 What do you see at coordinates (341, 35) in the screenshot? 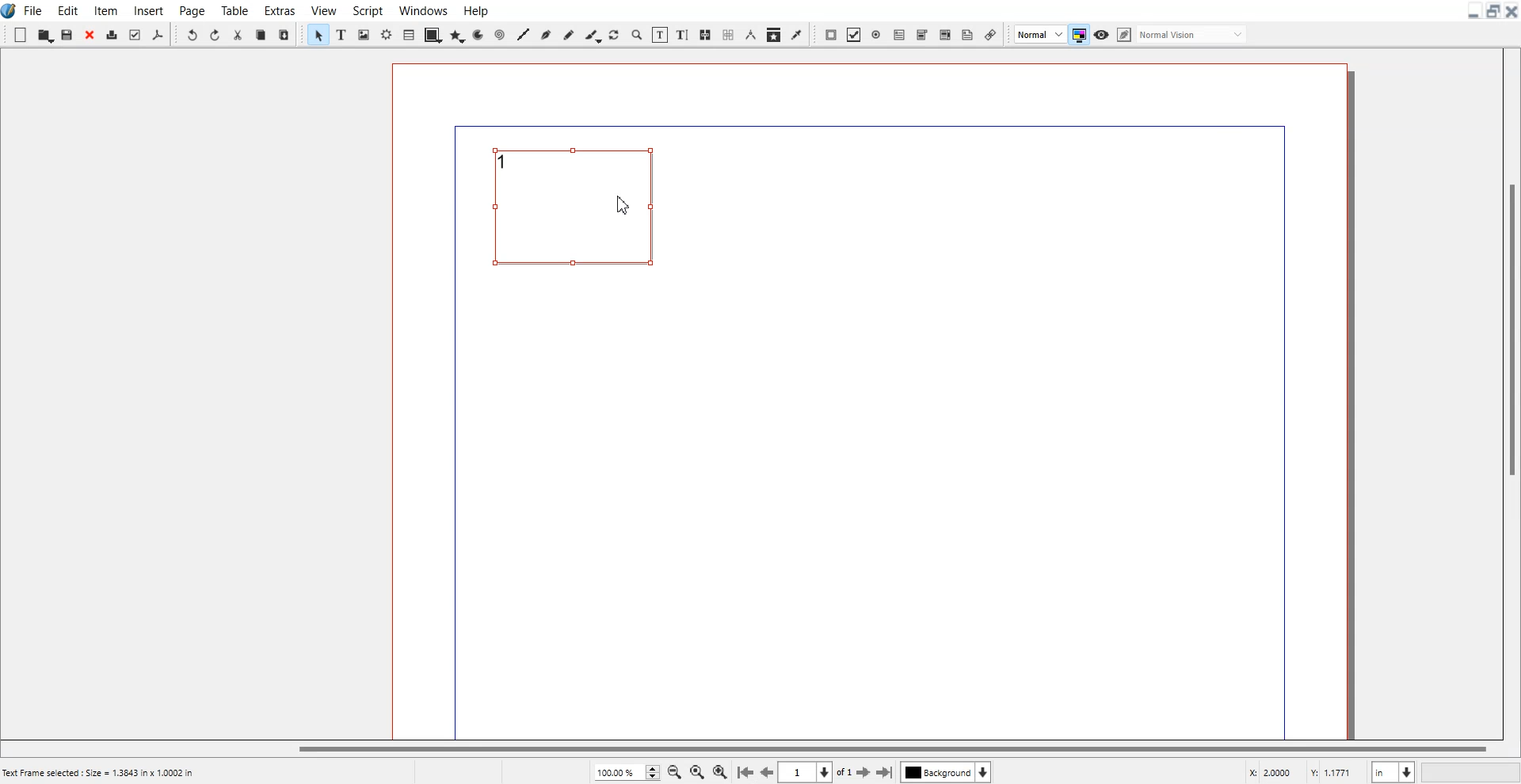
I see `Text Frame` at bounding box center [341, 35].